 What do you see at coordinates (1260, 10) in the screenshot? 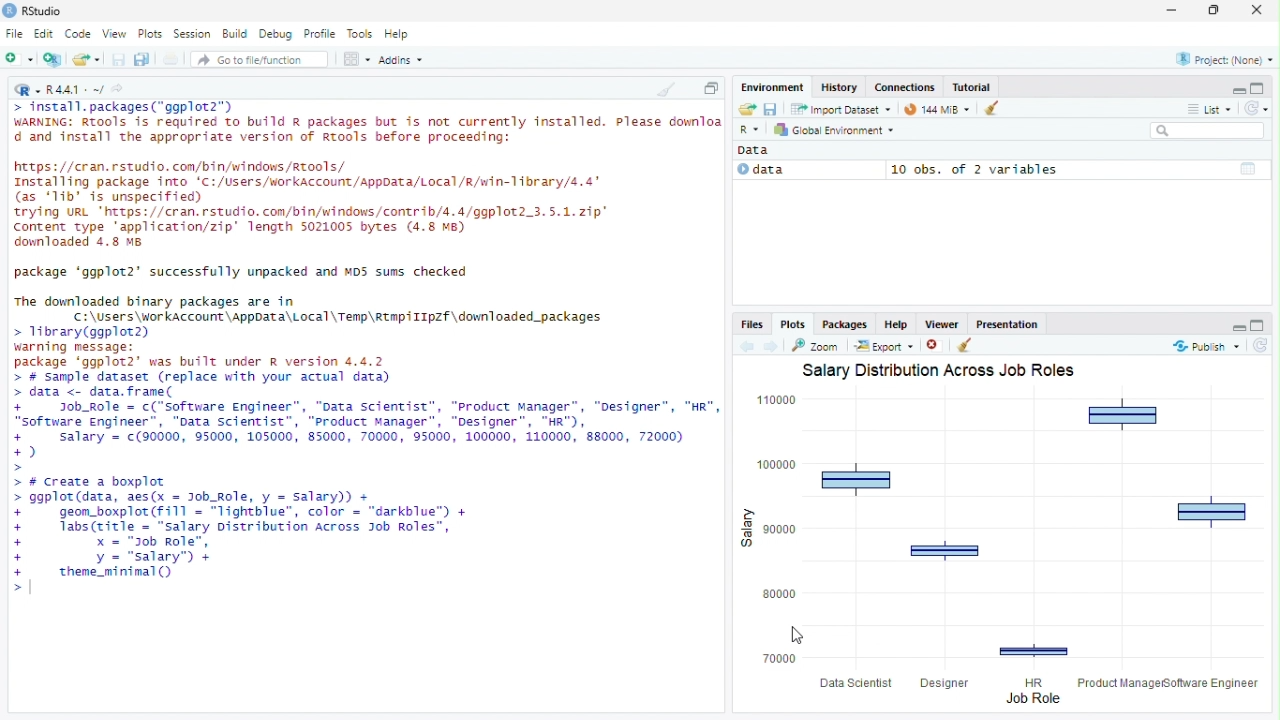
I see `Close` at bounding box center [1260, 10].